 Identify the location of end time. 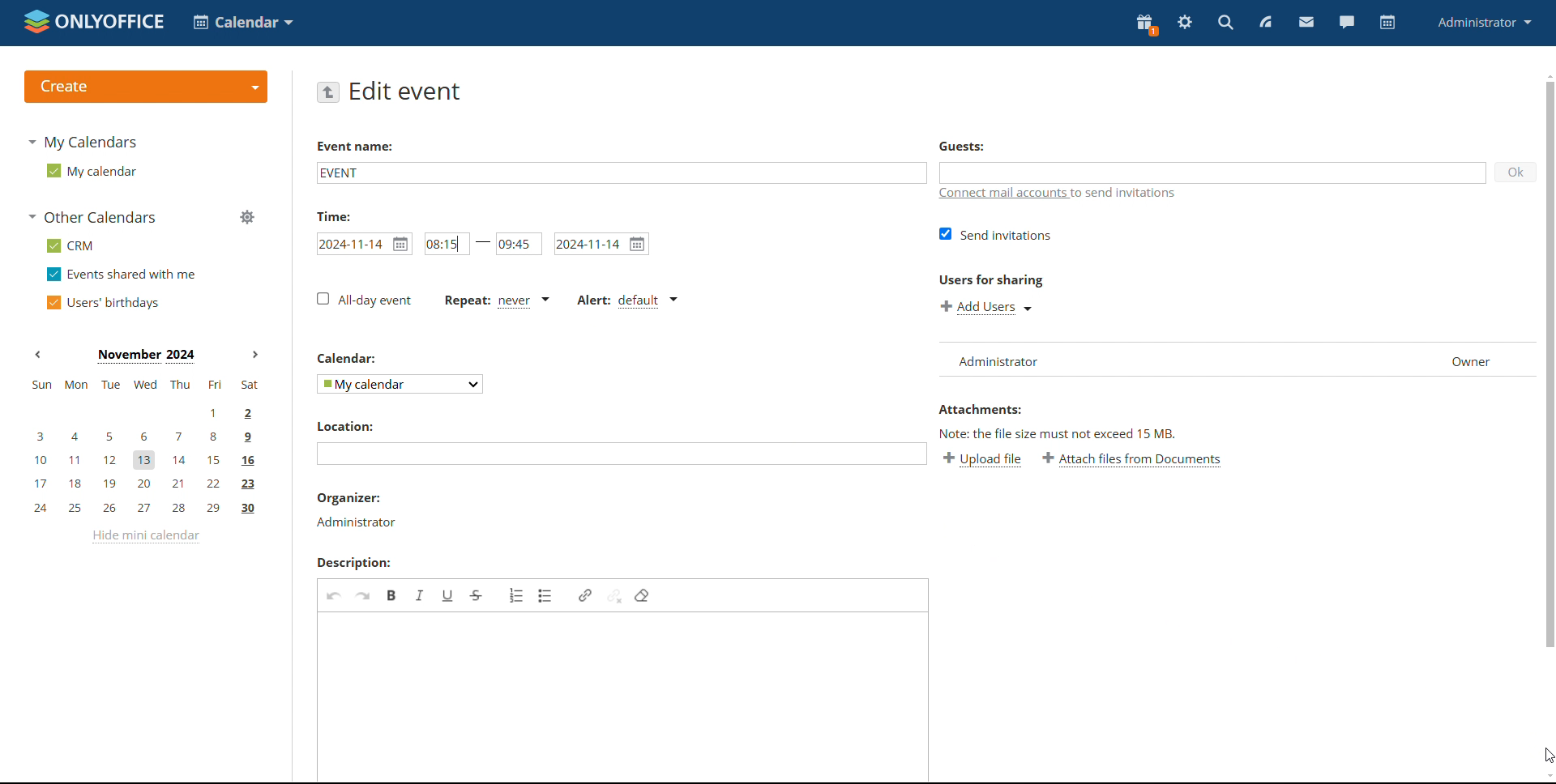
(519, 244).